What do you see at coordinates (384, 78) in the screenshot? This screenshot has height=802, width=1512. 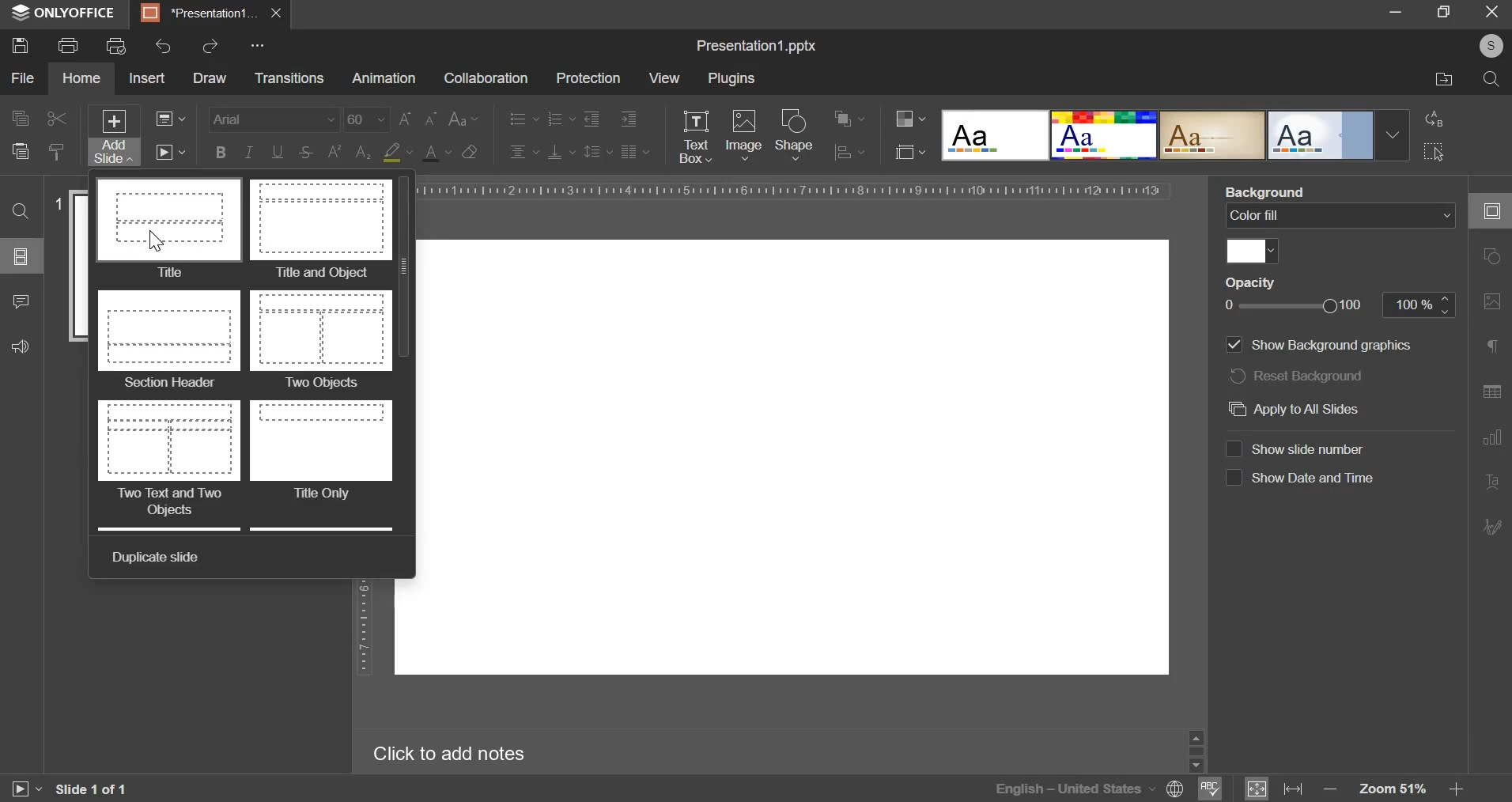 I see `animation` at bounding box center [384, 78].